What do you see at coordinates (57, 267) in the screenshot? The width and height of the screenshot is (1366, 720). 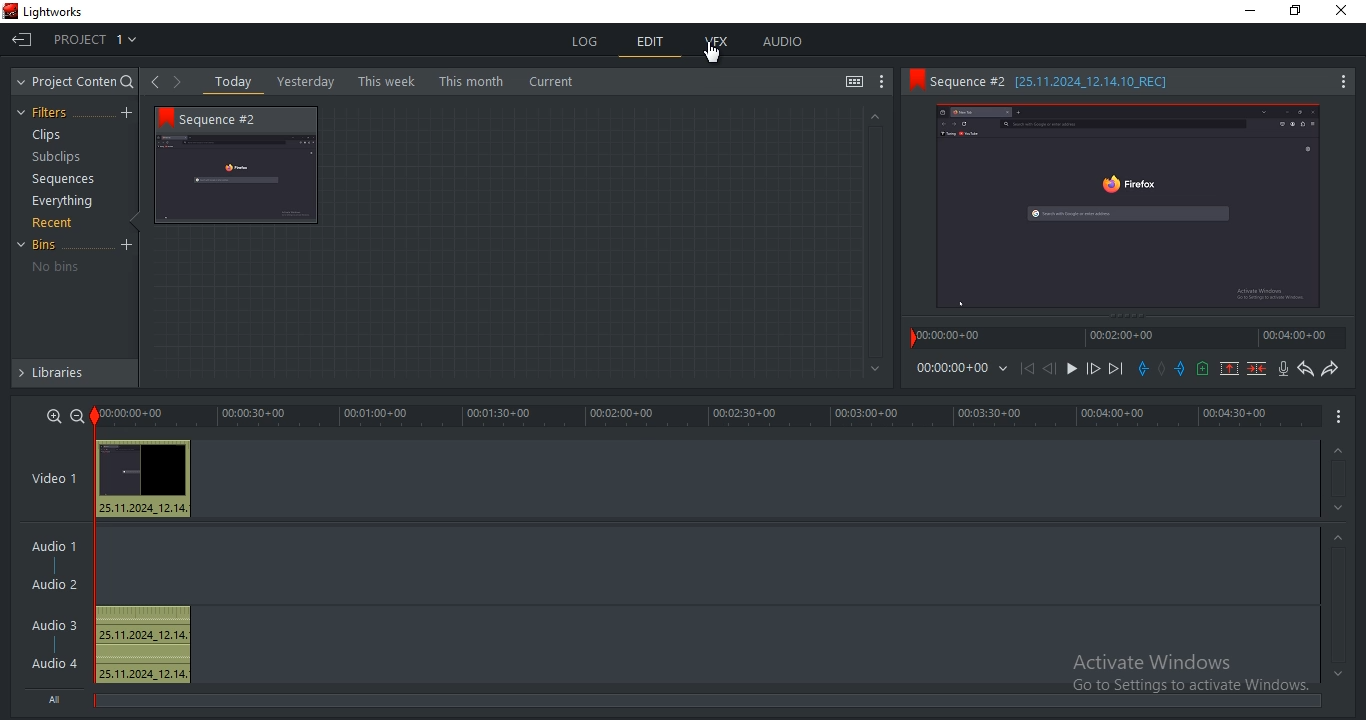 I see `no  bins` at bounding box center [57, 267].